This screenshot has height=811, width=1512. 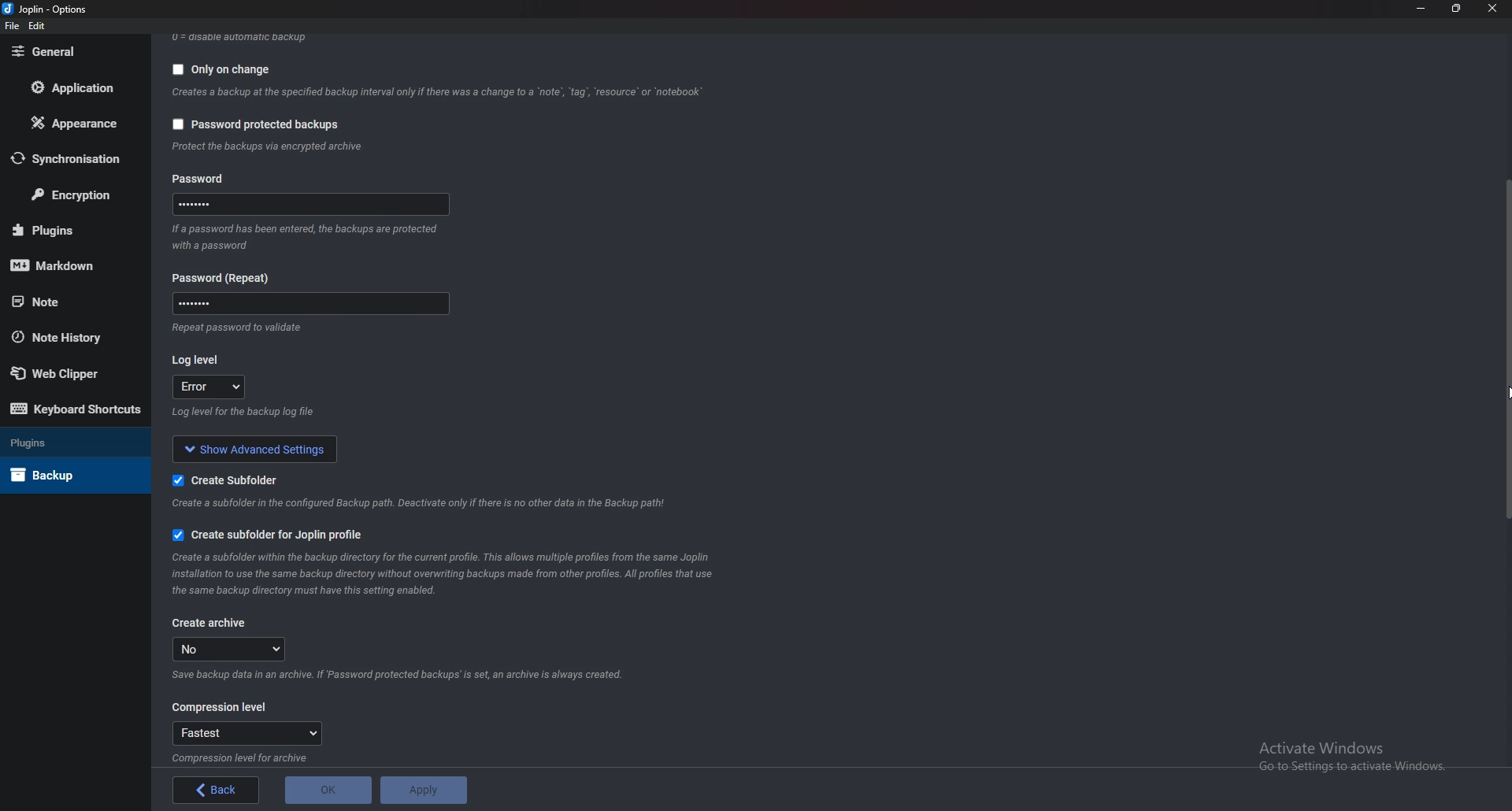 What do you see at coordinates (1458, 8) in the screenshot?
I see `Resize` at bounding box center [1458, 8].